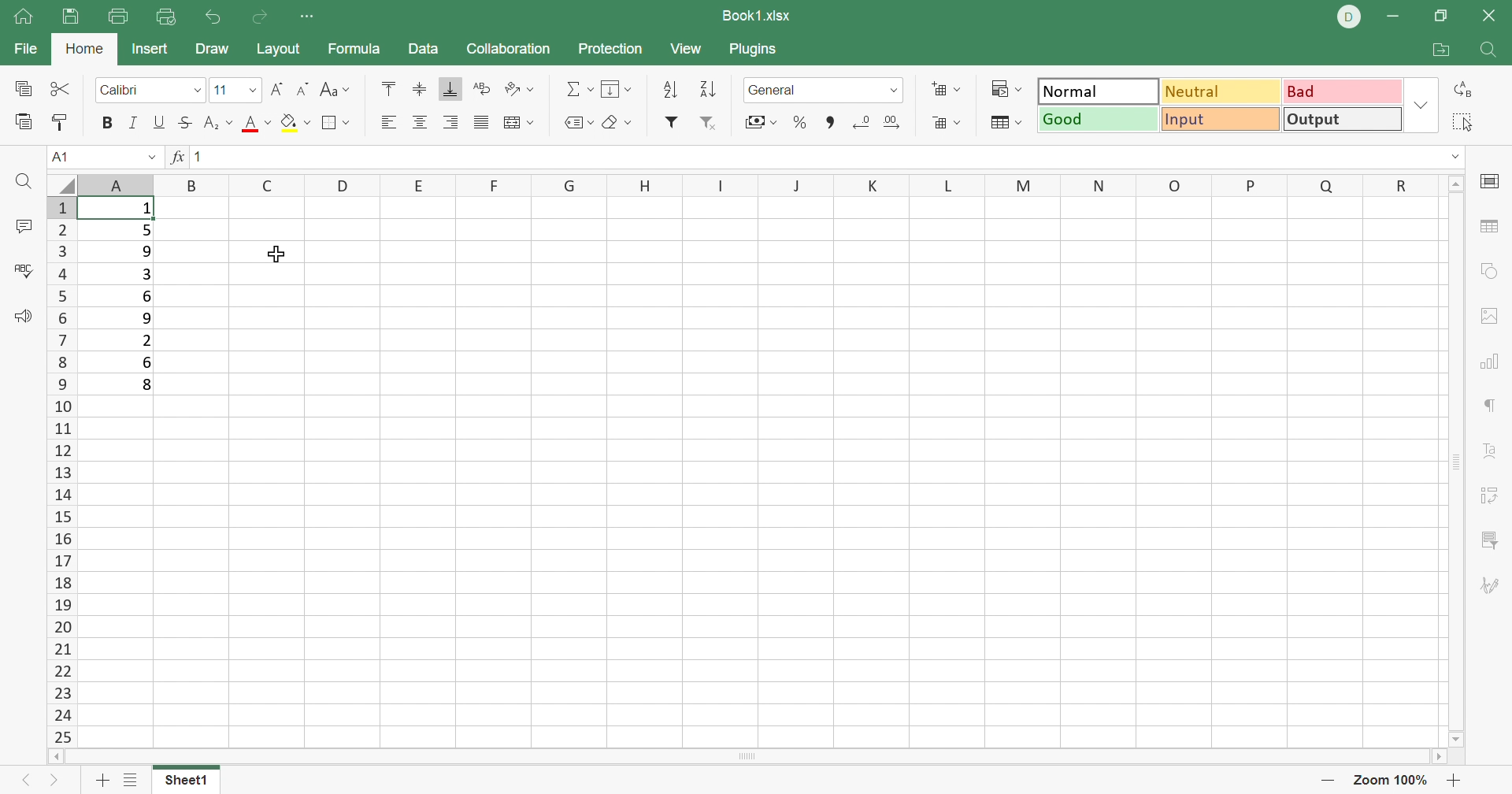  Describe the element at coordinates (23, 89) in the screenshot. I see `Copy` at that location.